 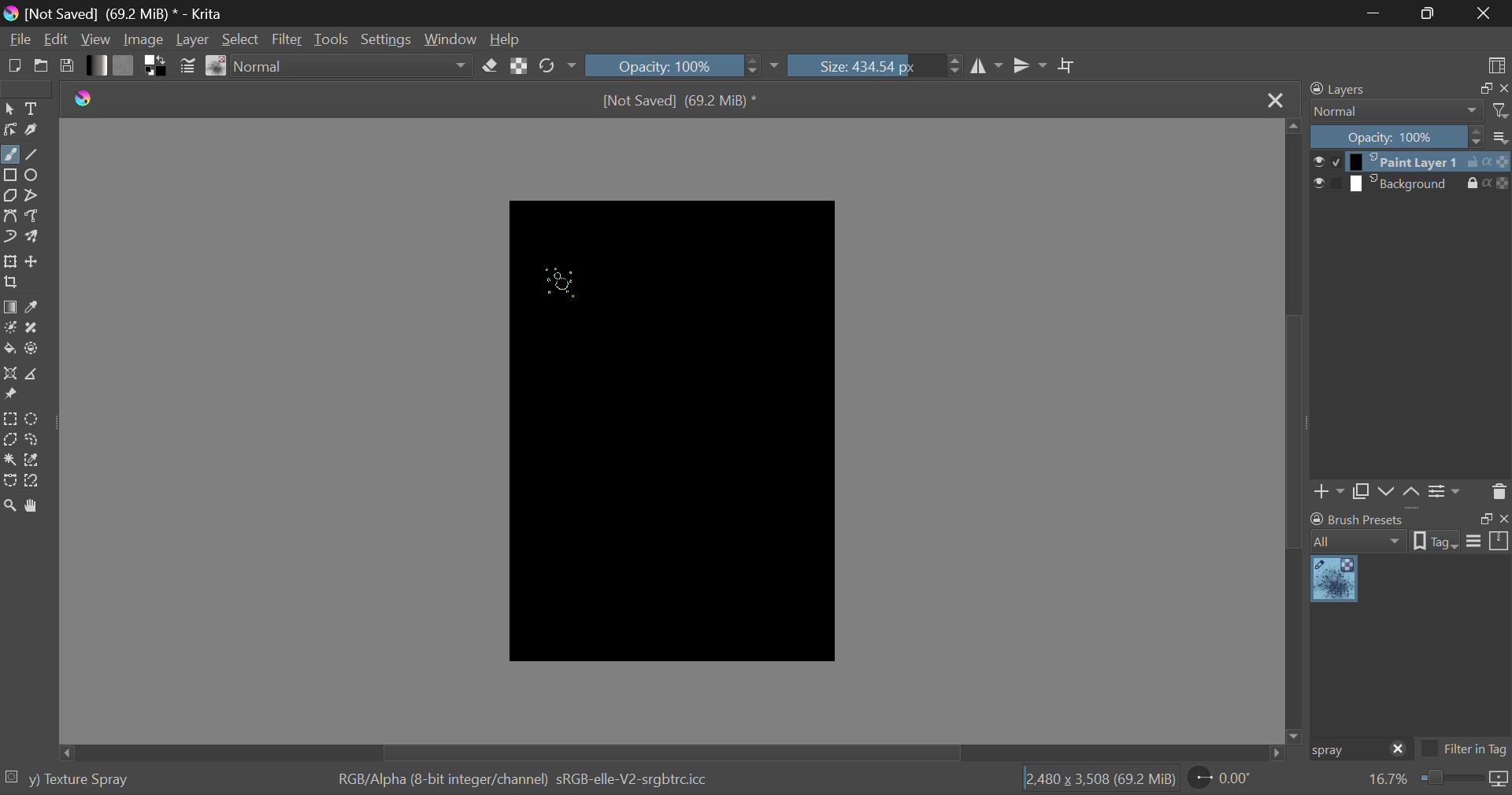 I want to click on Crop Layer, so click(x=13, y=283).